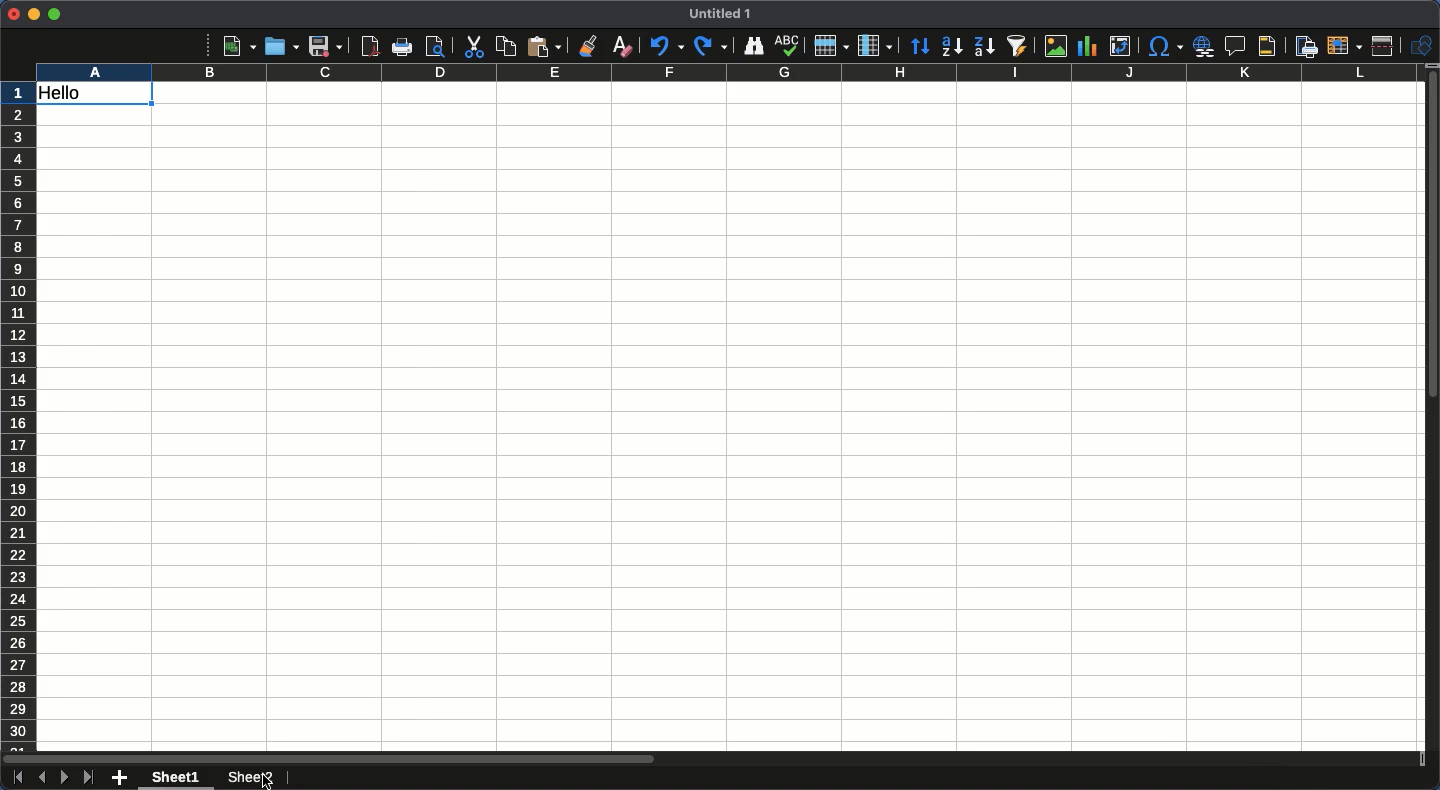 This screenshot has width=1440, height=790. Describe the element at coordinates (1431, 418) in the screenshot. I see `Scroll` at that location.